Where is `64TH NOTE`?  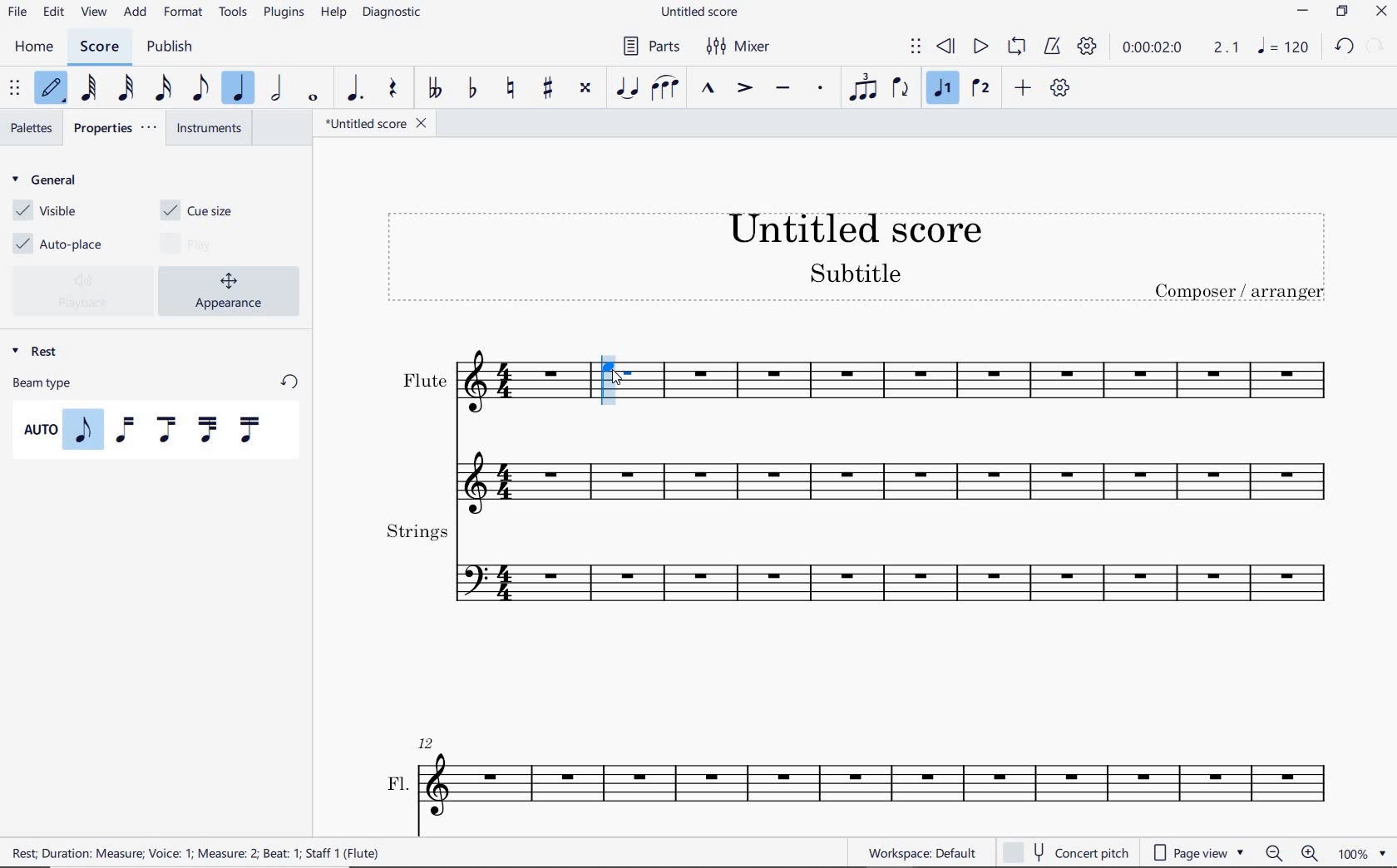 64TH NOTE is located at coordinates (90, 88).